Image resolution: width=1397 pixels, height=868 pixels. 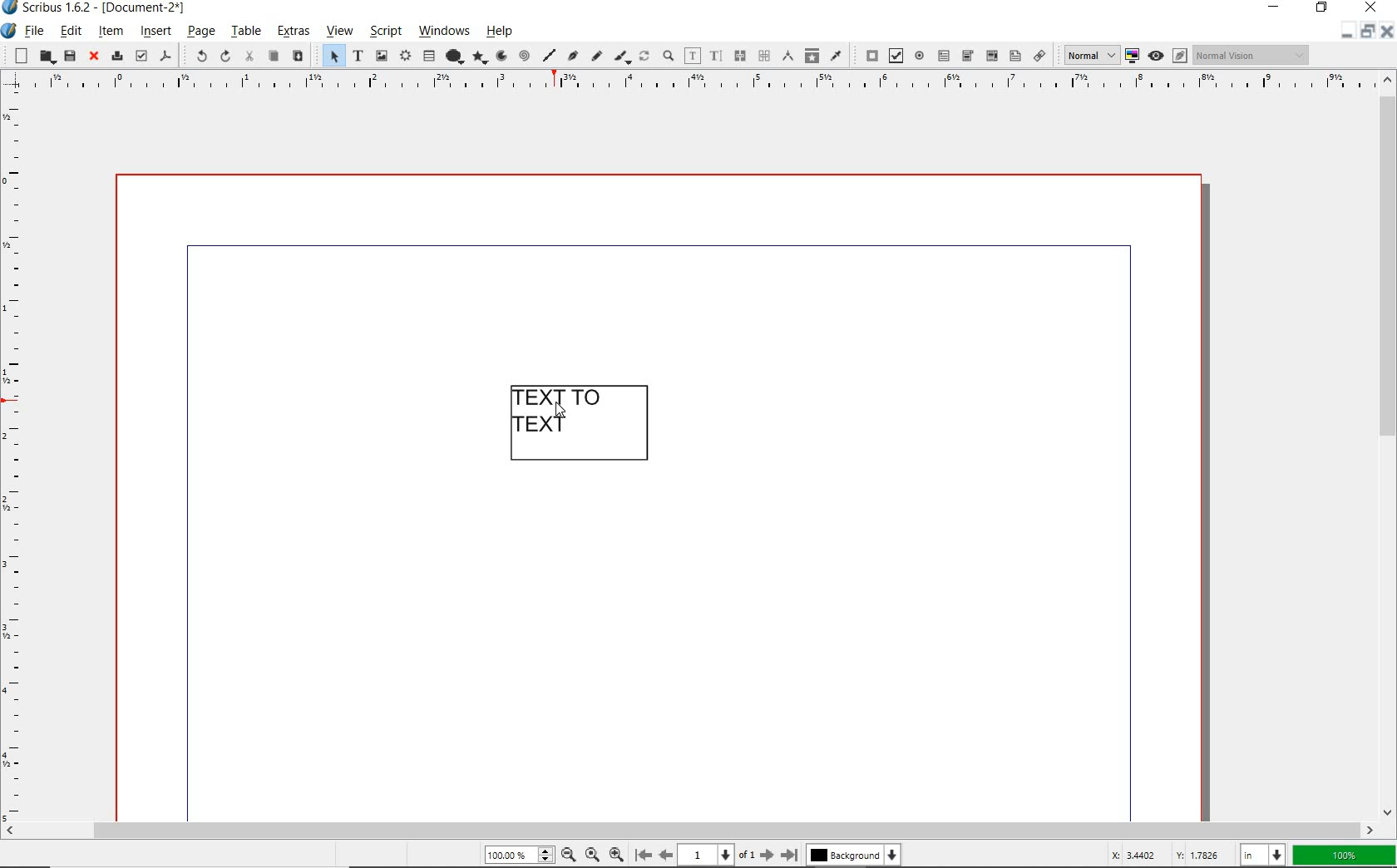 What do you see at coordinates (548, 57) in the screenshot?
I see `line` at bounding box center [548, 57].